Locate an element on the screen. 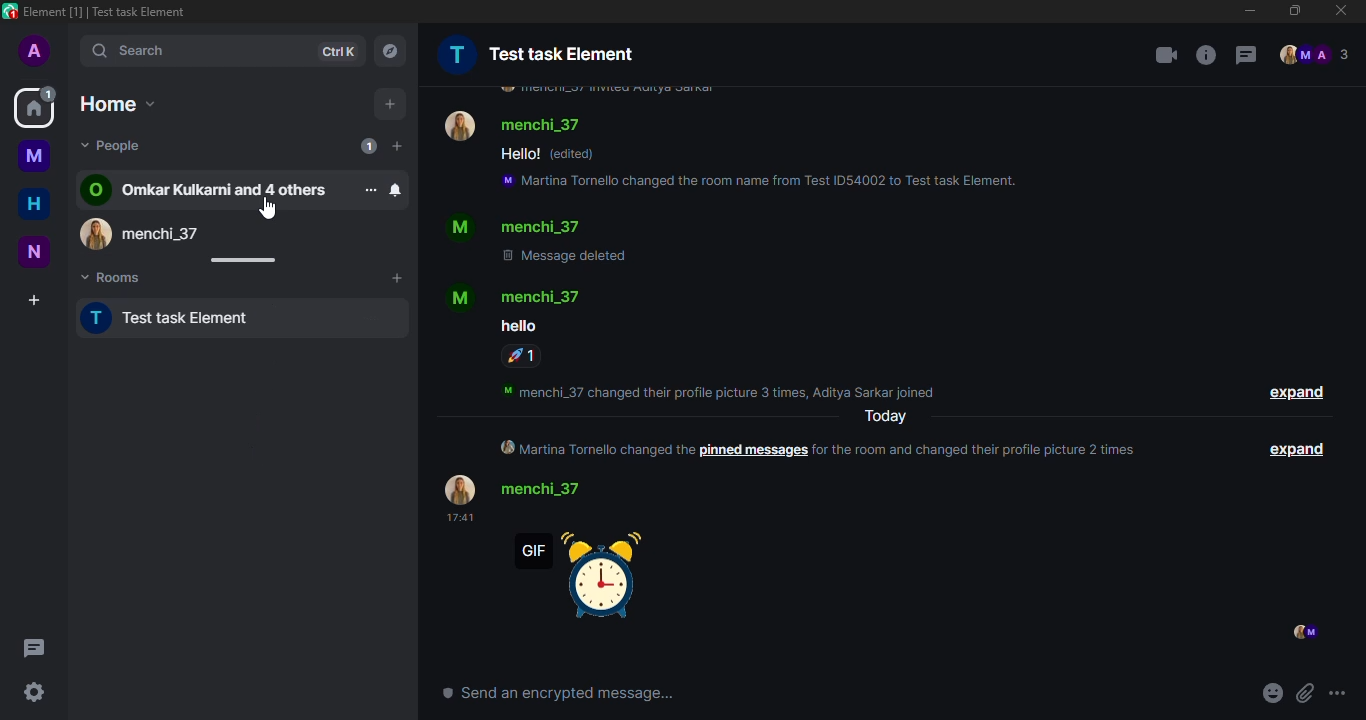 The height and width of the screenshot is (720, 1366). menchi_37 is located at coordinates (515, 121).